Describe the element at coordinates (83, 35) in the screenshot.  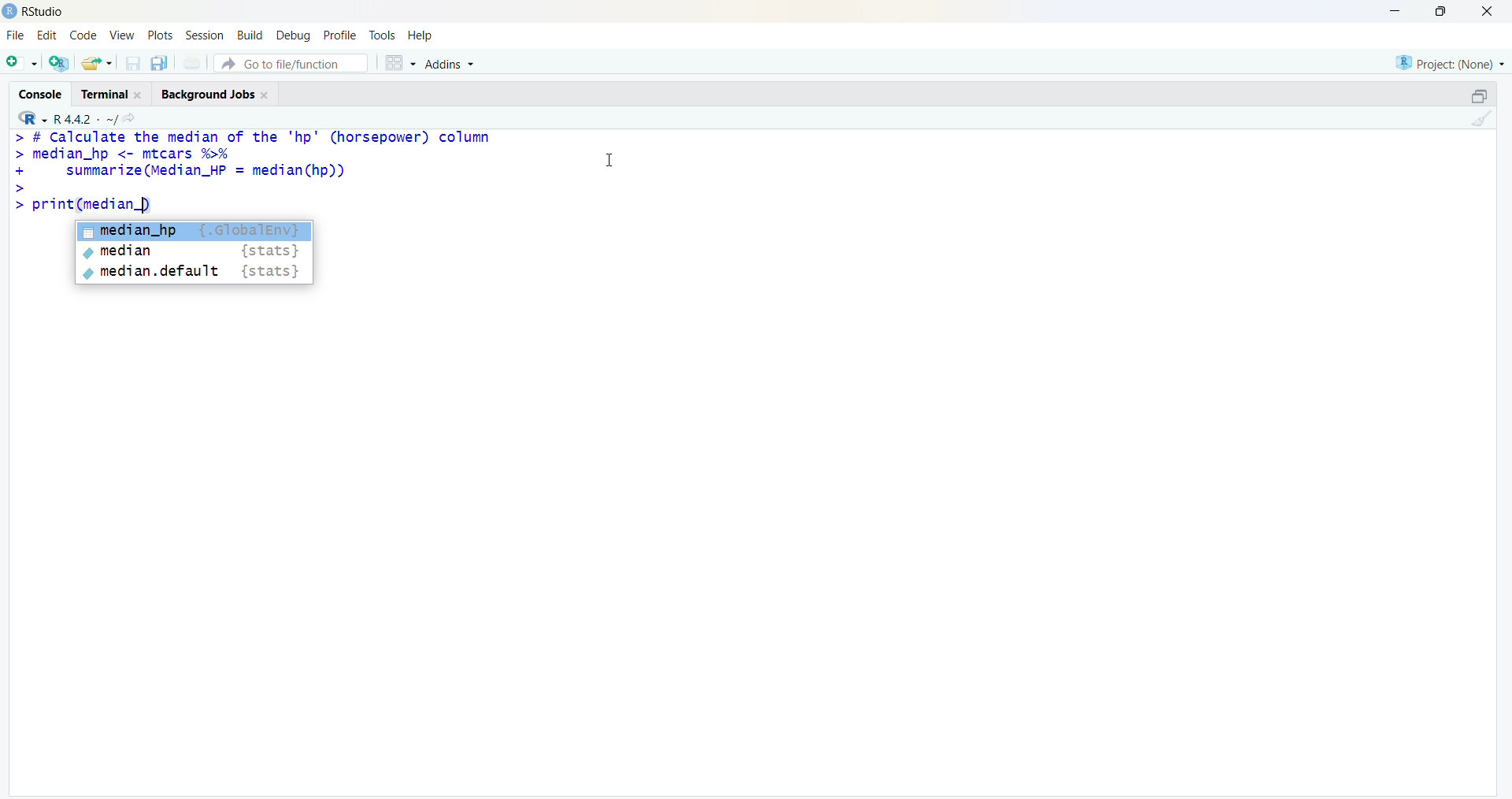
I see `code` at that location.